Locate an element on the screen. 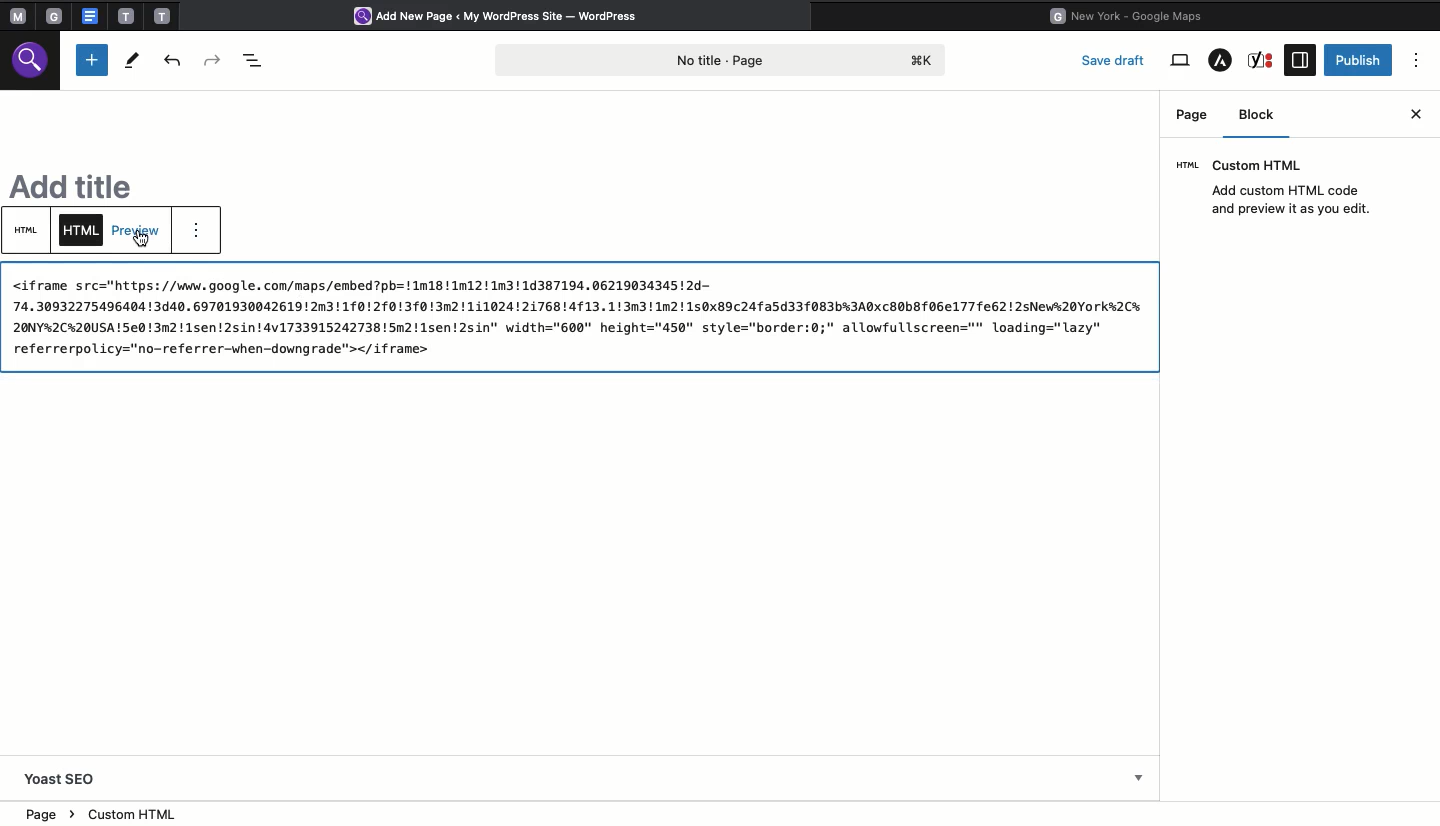  yoast seo is located at coordinates (62, 779).